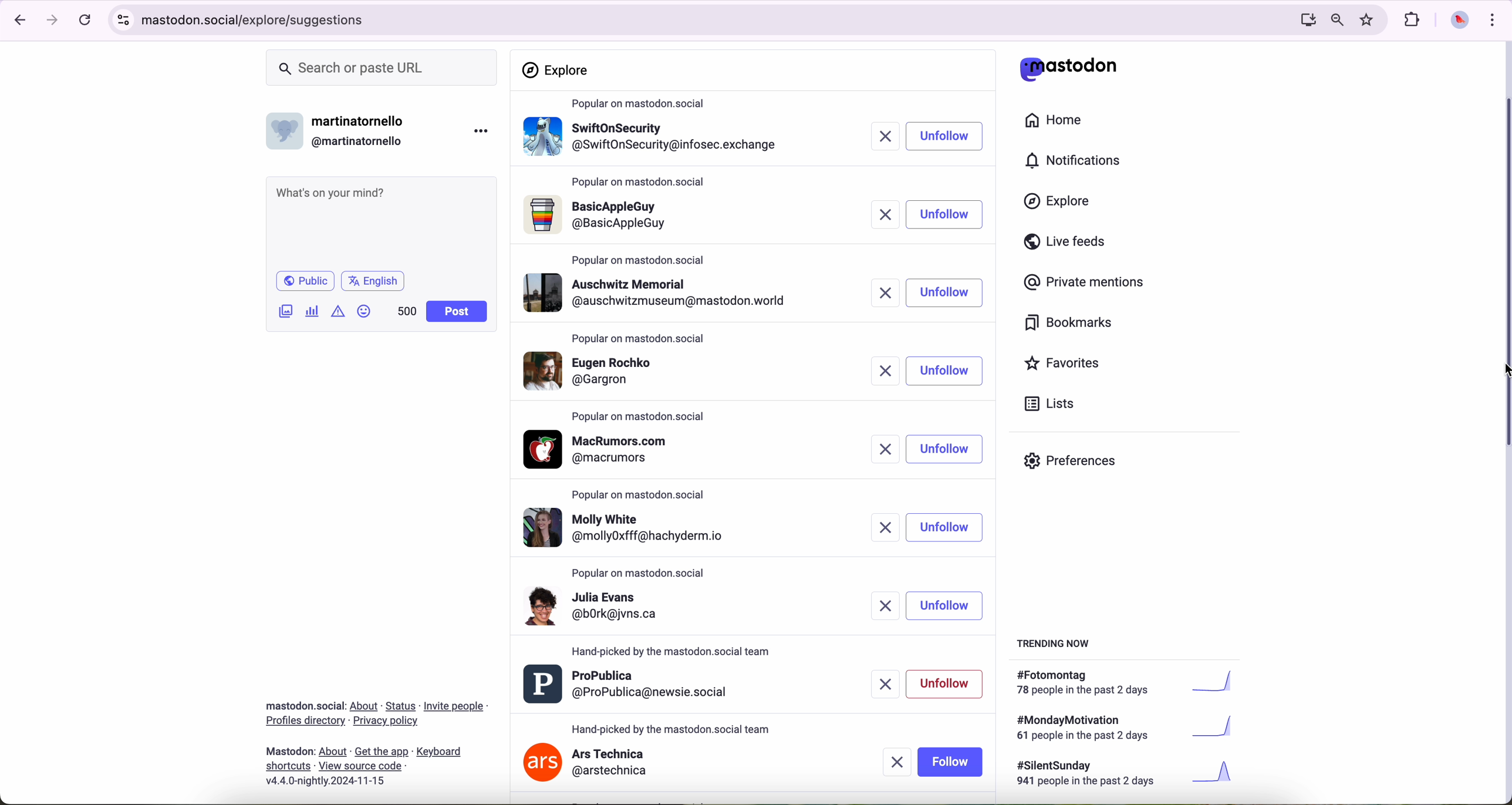 The width and height of the screenshot is (1512, 805). What do you see at coordinates (653, 373) in the screenshot?
I see `profile` at bounding box center [653, 373].